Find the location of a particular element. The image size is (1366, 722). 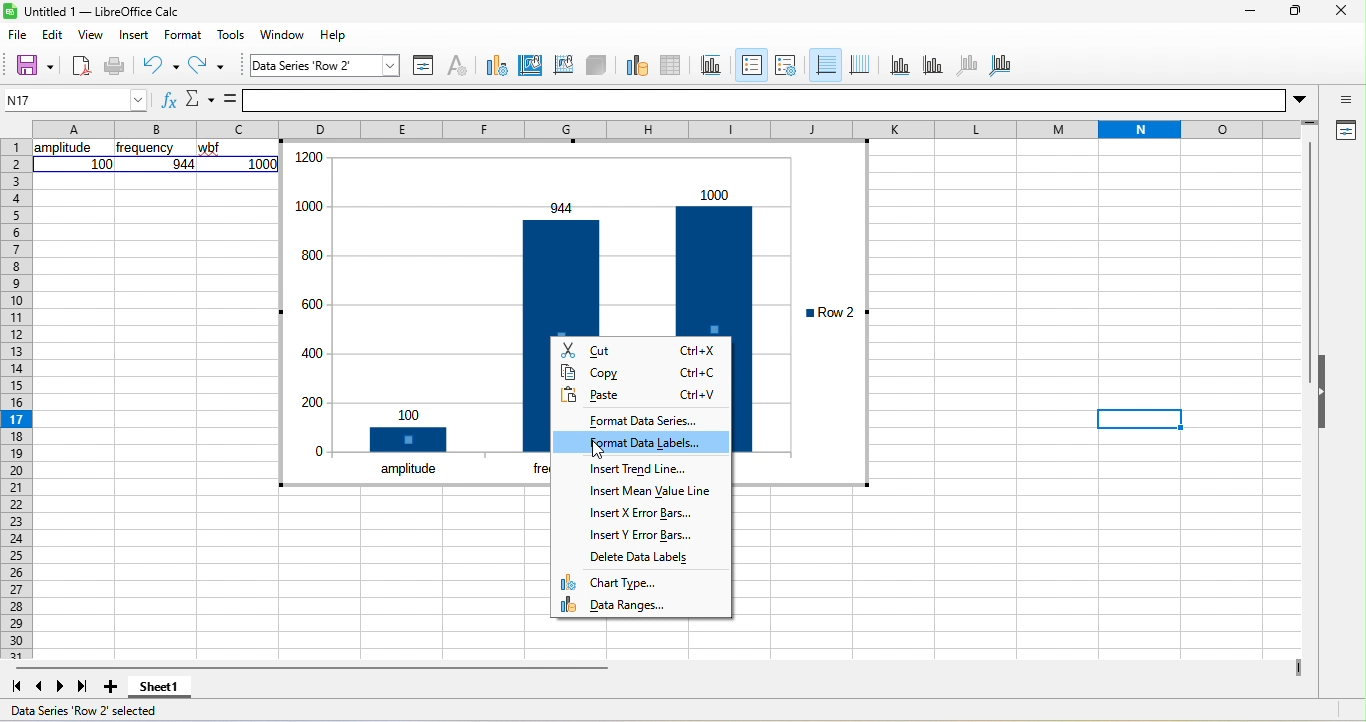

save is located at coordinates (27, 65).